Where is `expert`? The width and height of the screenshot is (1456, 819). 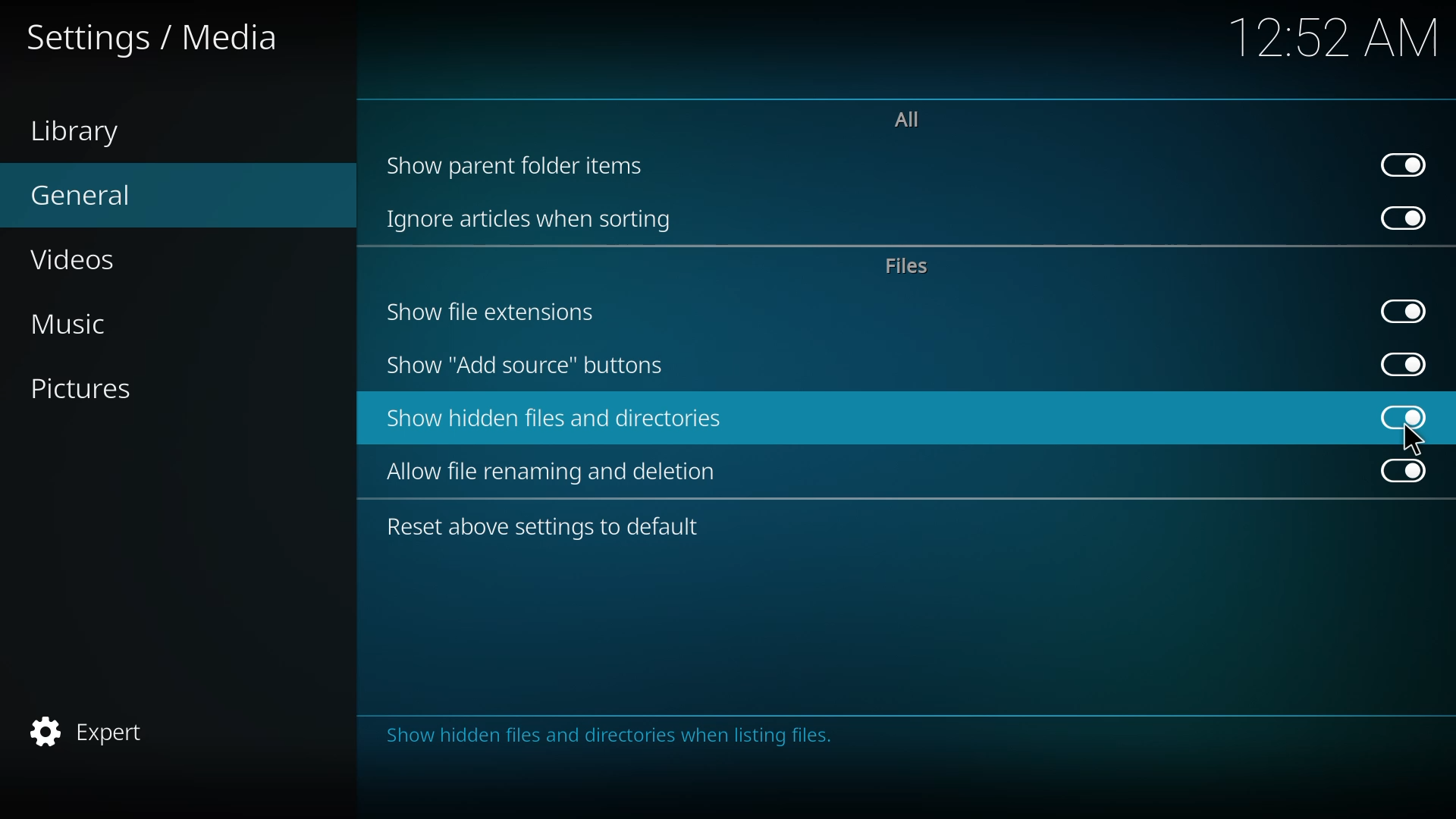 expert is located at coordinates (94, 730).